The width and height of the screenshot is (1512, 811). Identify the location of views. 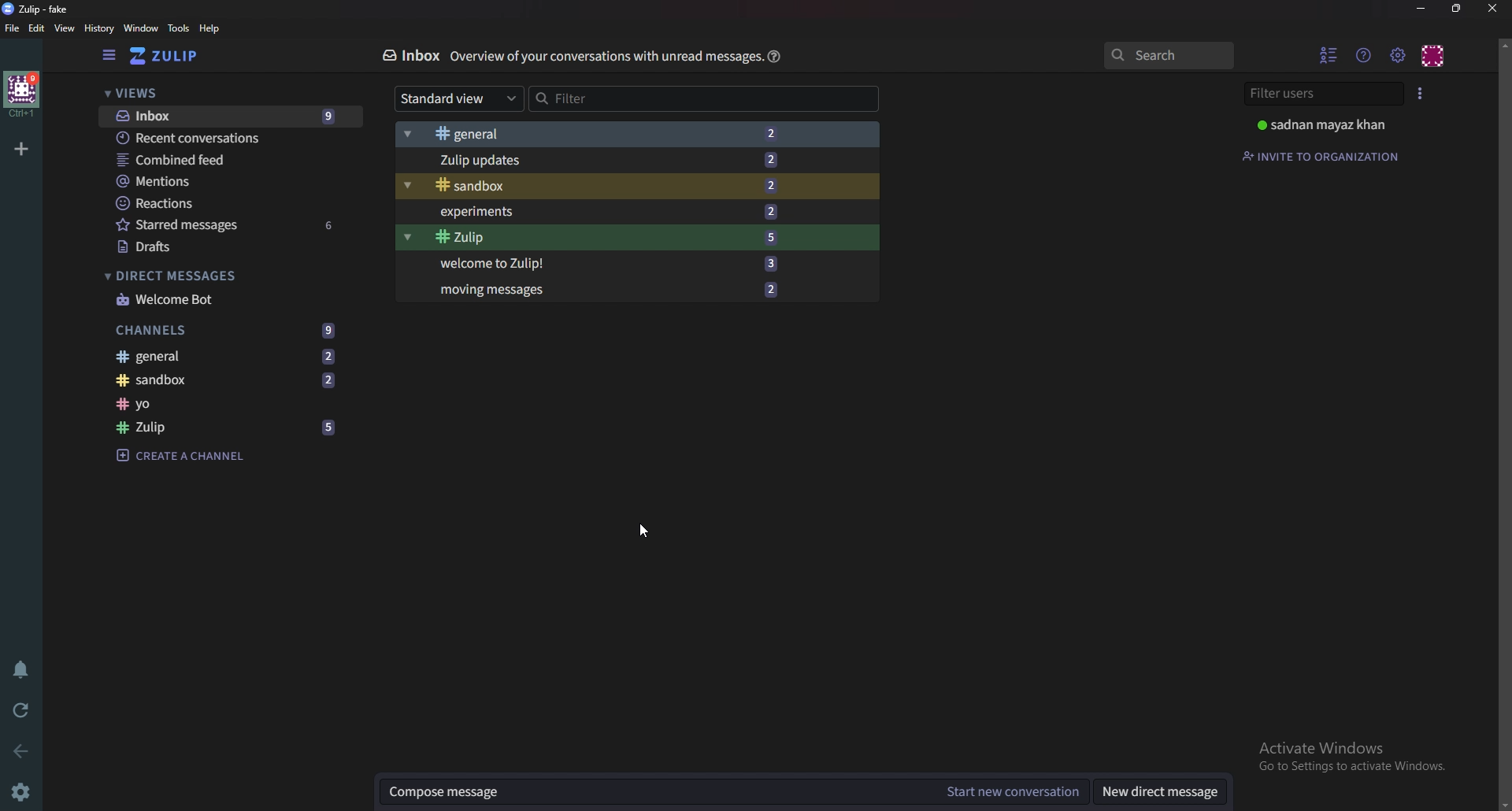
(222, 93).